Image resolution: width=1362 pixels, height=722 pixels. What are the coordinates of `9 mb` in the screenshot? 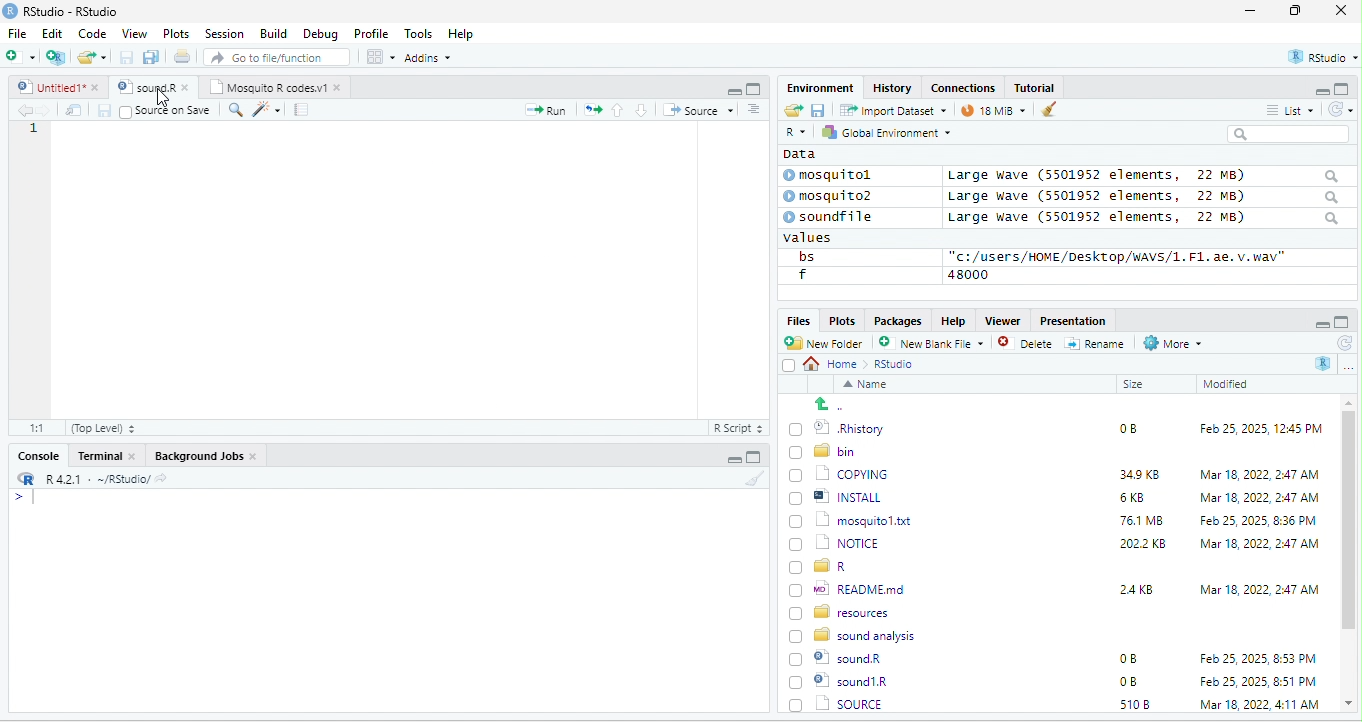 It's located at (993, 112).